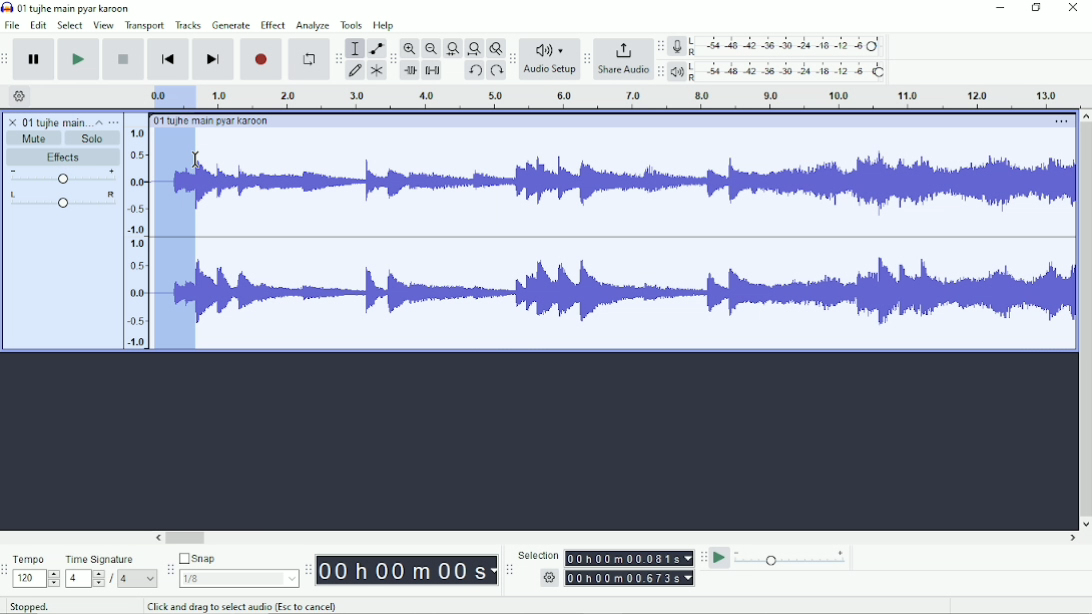  What do you see at coordinates (56, 123) in the screenshot?
I see `01 tujhe main` at bounding box center [56, 123].